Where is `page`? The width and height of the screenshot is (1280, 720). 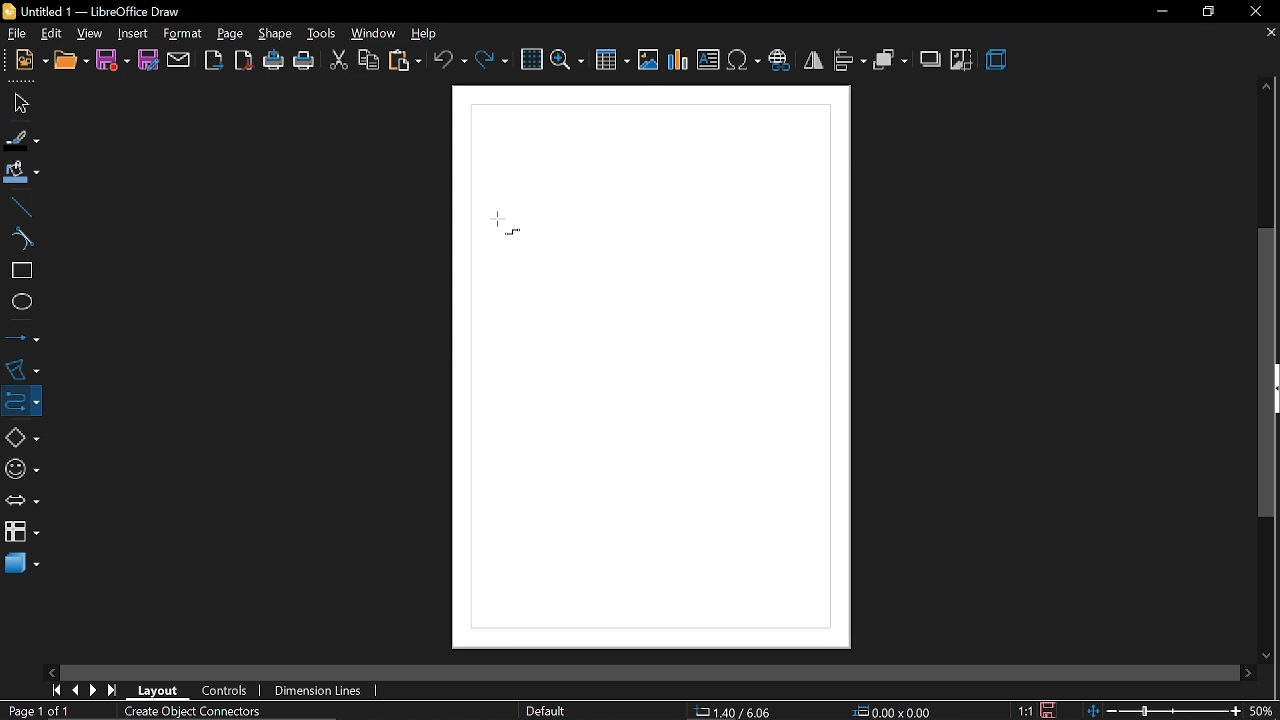 page is located at coordinates (230, 31).